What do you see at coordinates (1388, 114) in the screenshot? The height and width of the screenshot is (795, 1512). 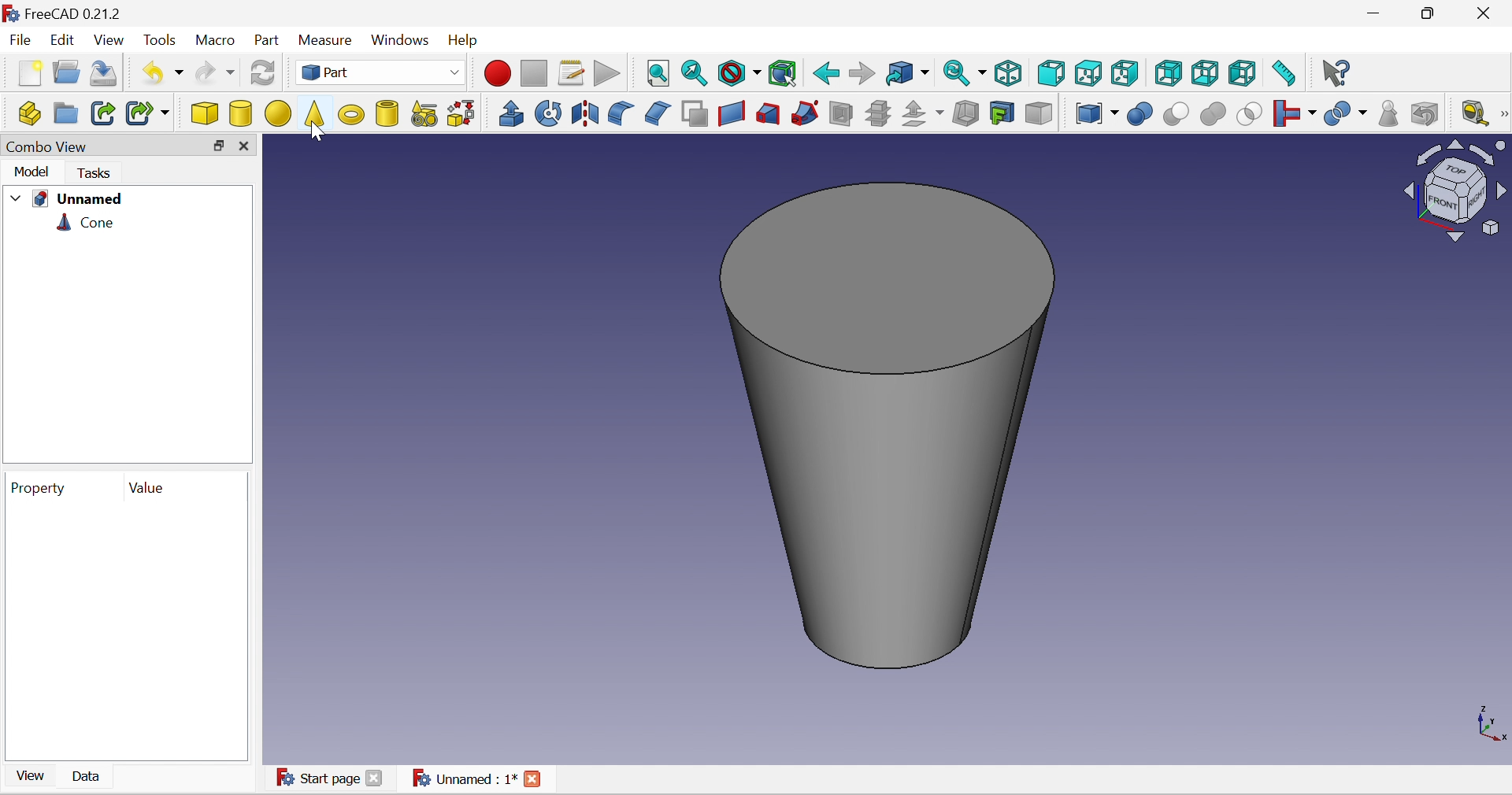 I see `Check geometry` at bounding box center [1388, 114].